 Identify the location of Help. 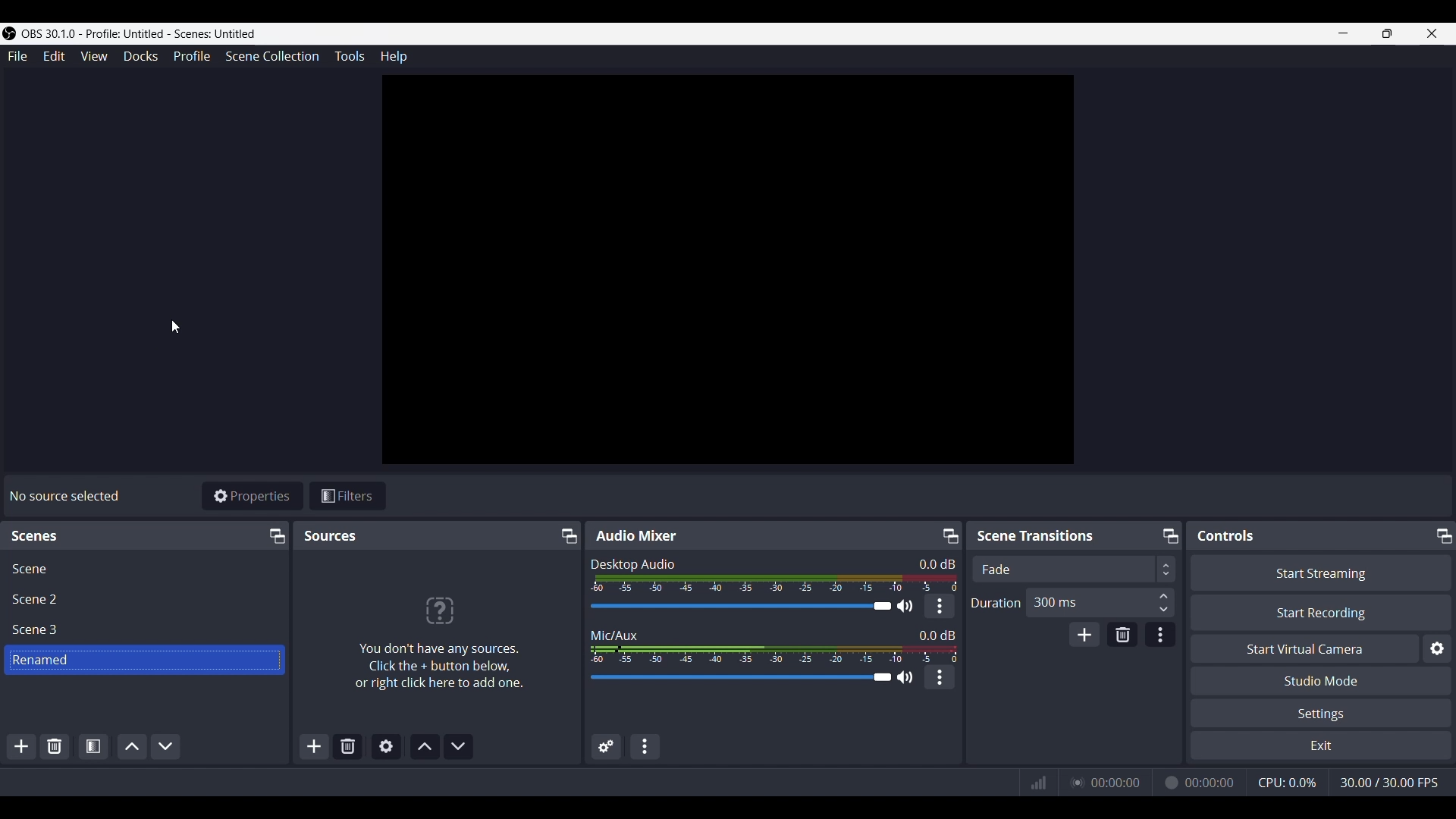
(392, 58).